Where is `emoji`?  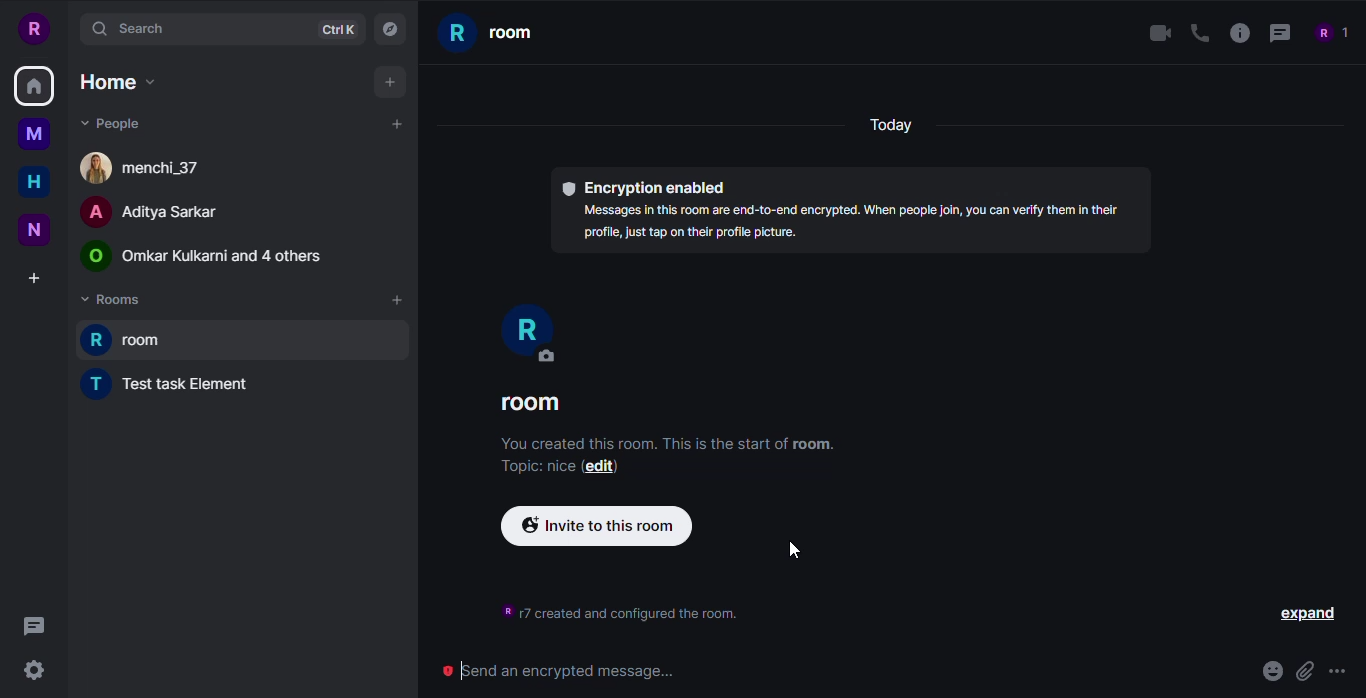
emoji is located at coordinates (1270, 671).